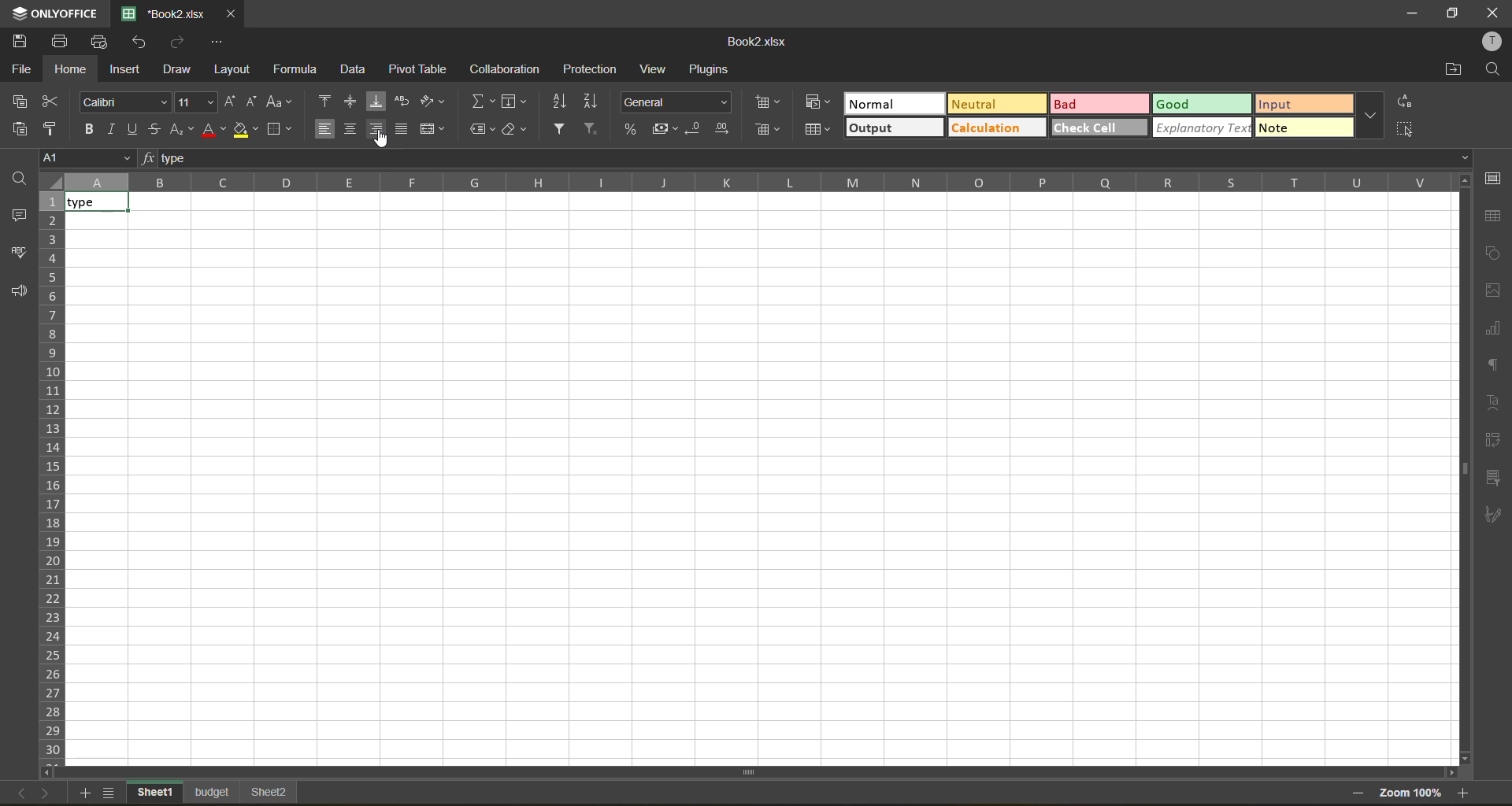  I want to click on sort descending, so click(595, 102).